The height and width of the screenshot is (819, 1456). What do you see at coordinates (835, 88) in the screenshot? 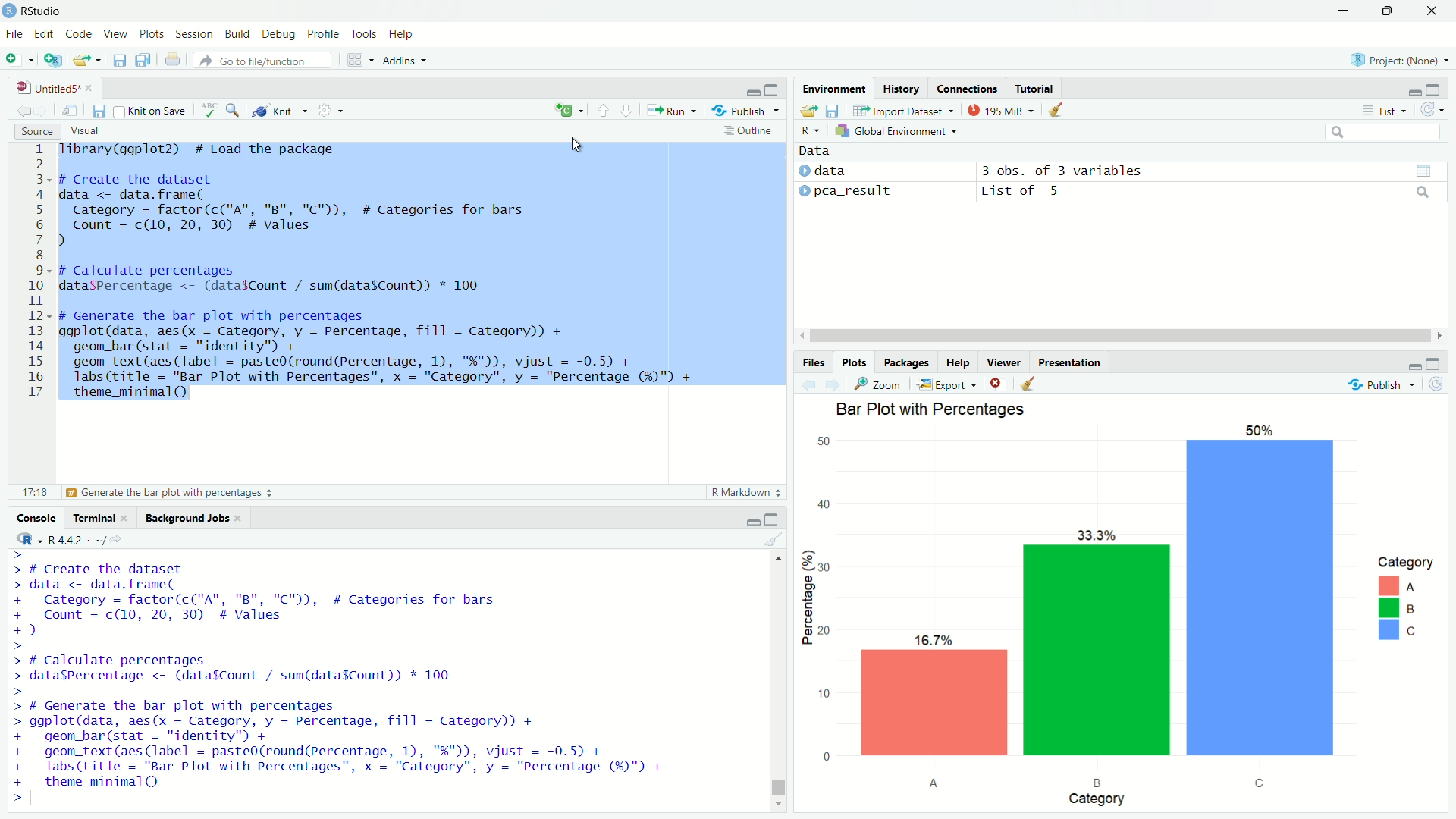
I see `environment` at bounding box center [835, 88].